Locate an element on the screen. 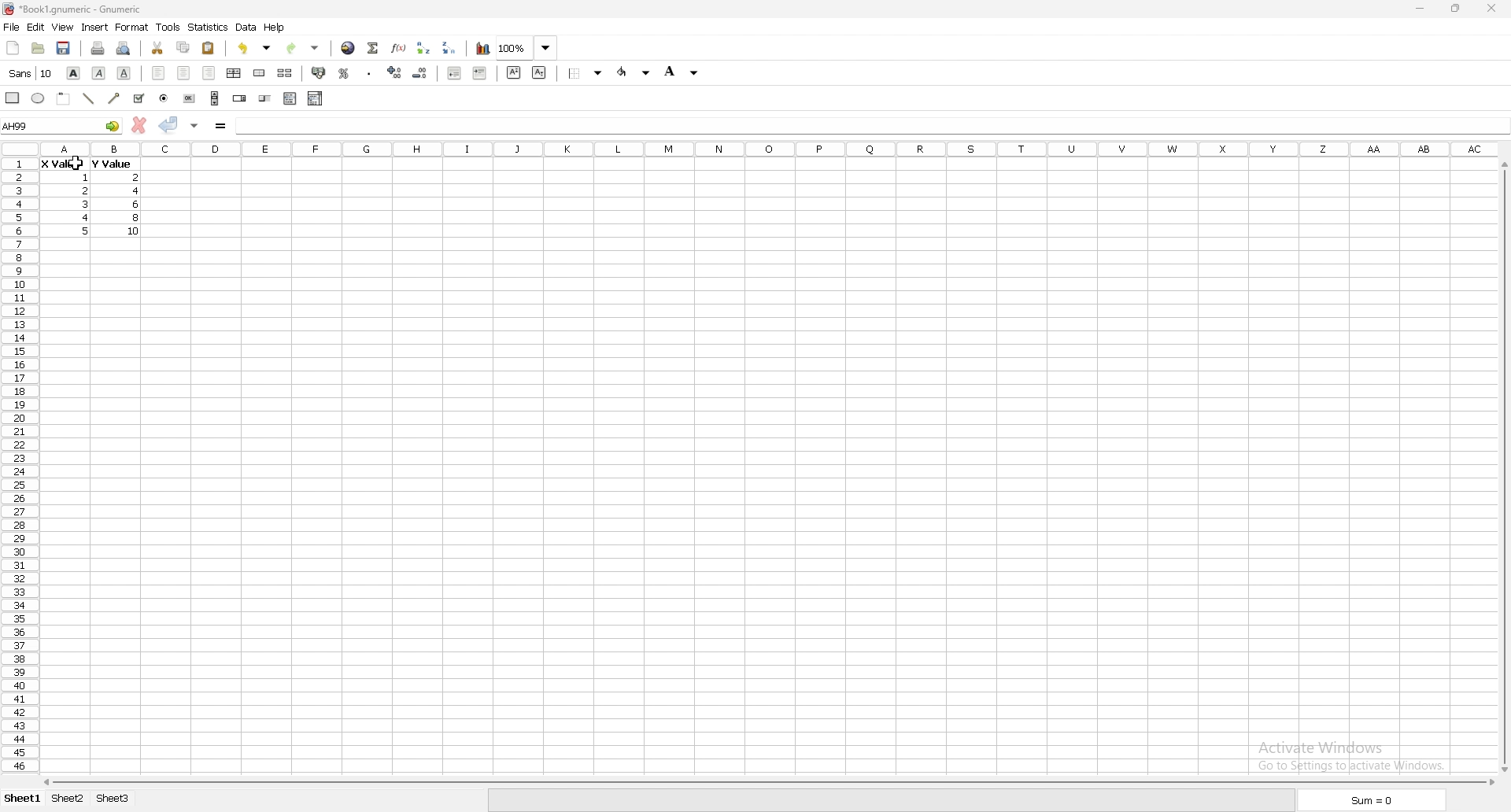 This screenshot has height=812, width=1511. statistics is located at coordinates (209, 27).